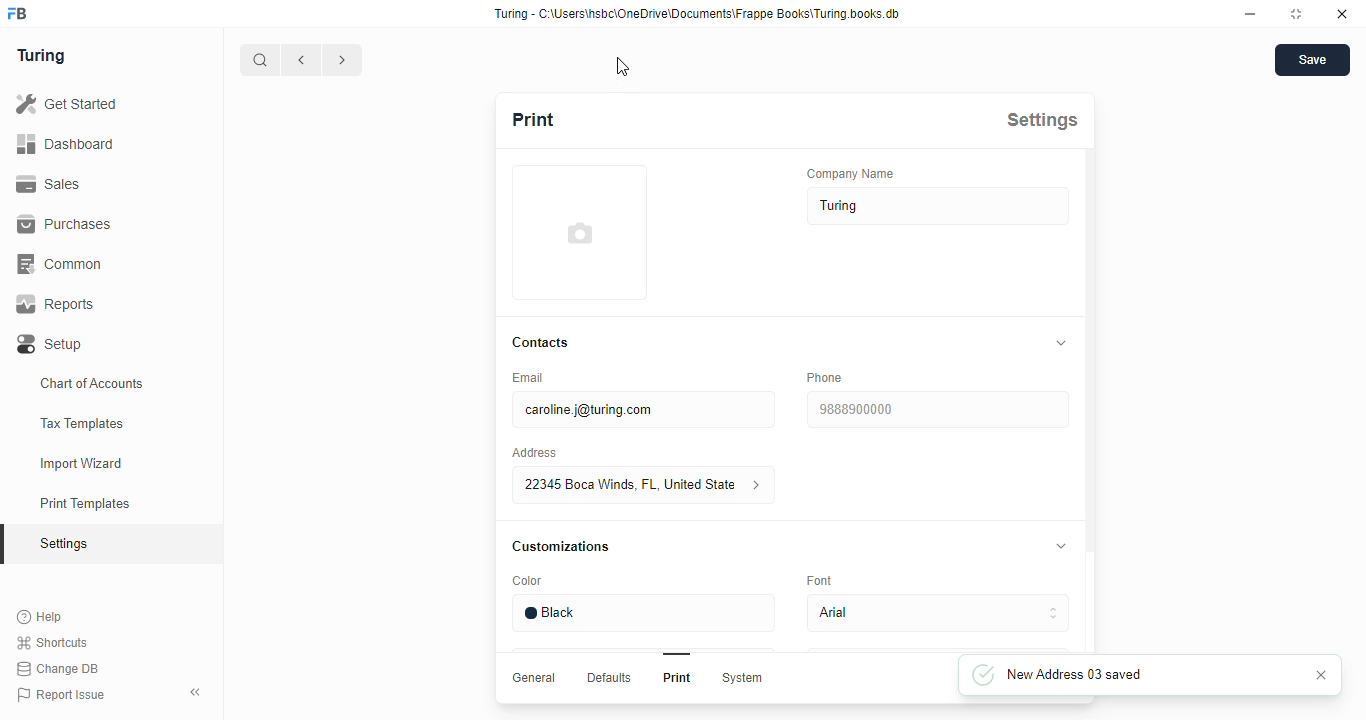 The image size is (1366, 720). Describe the element at coordinates (302, 60) in the screenshot. I see `previous` at that location.